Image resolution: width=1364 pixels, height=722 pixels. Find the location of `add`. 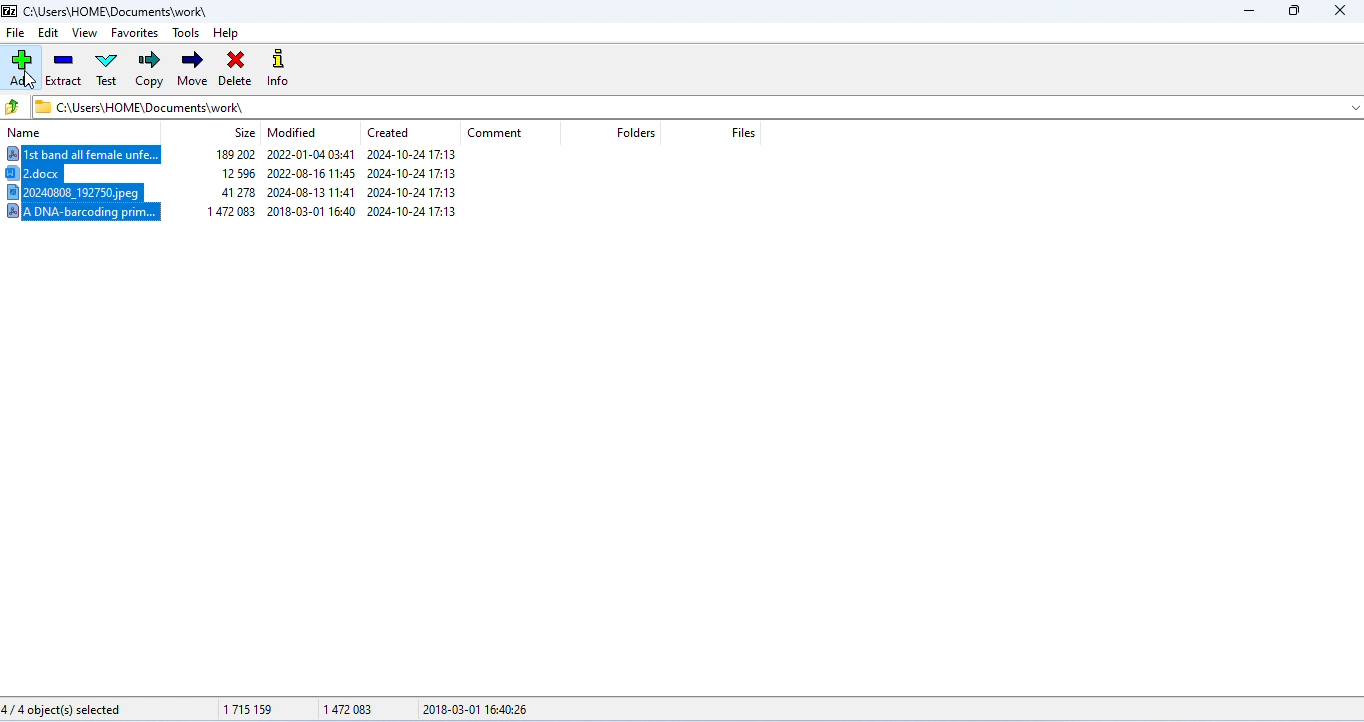

add is located at coordinates (22, 67).